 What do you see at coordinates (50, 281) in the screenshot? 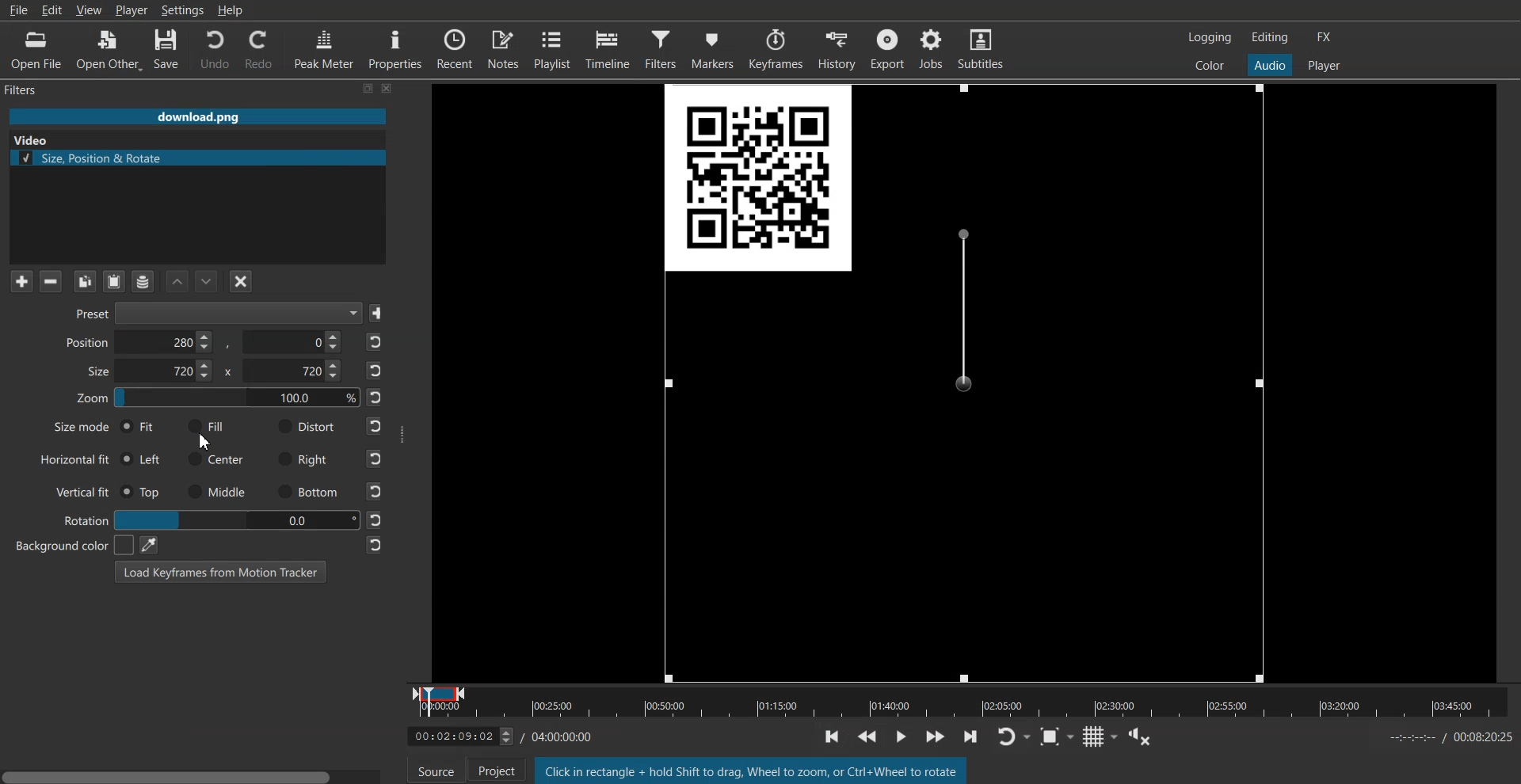
I see `Remove selected Filter` at bounding box center [50, 281].